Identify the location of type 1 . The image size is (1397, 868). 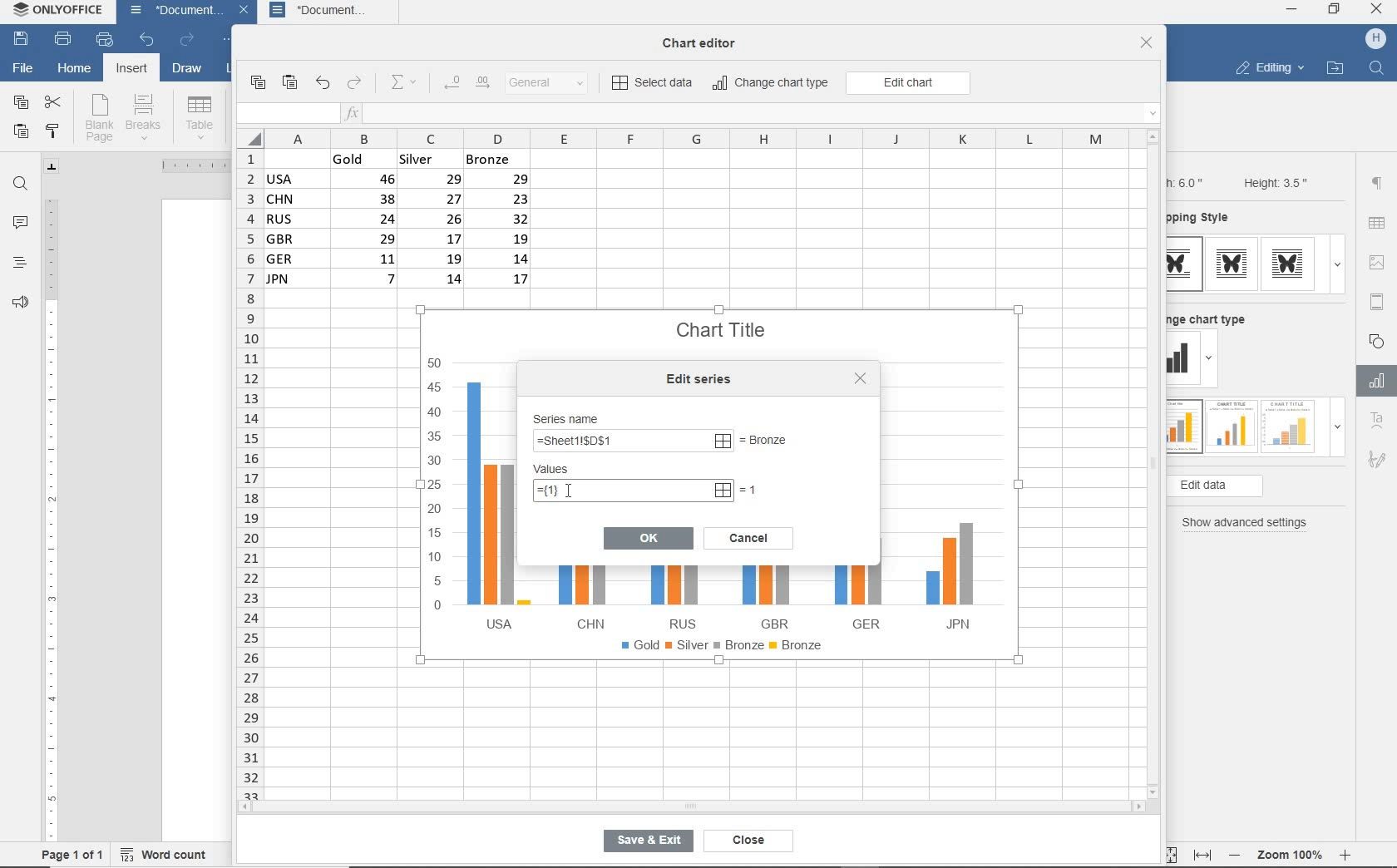
(1183, 427).